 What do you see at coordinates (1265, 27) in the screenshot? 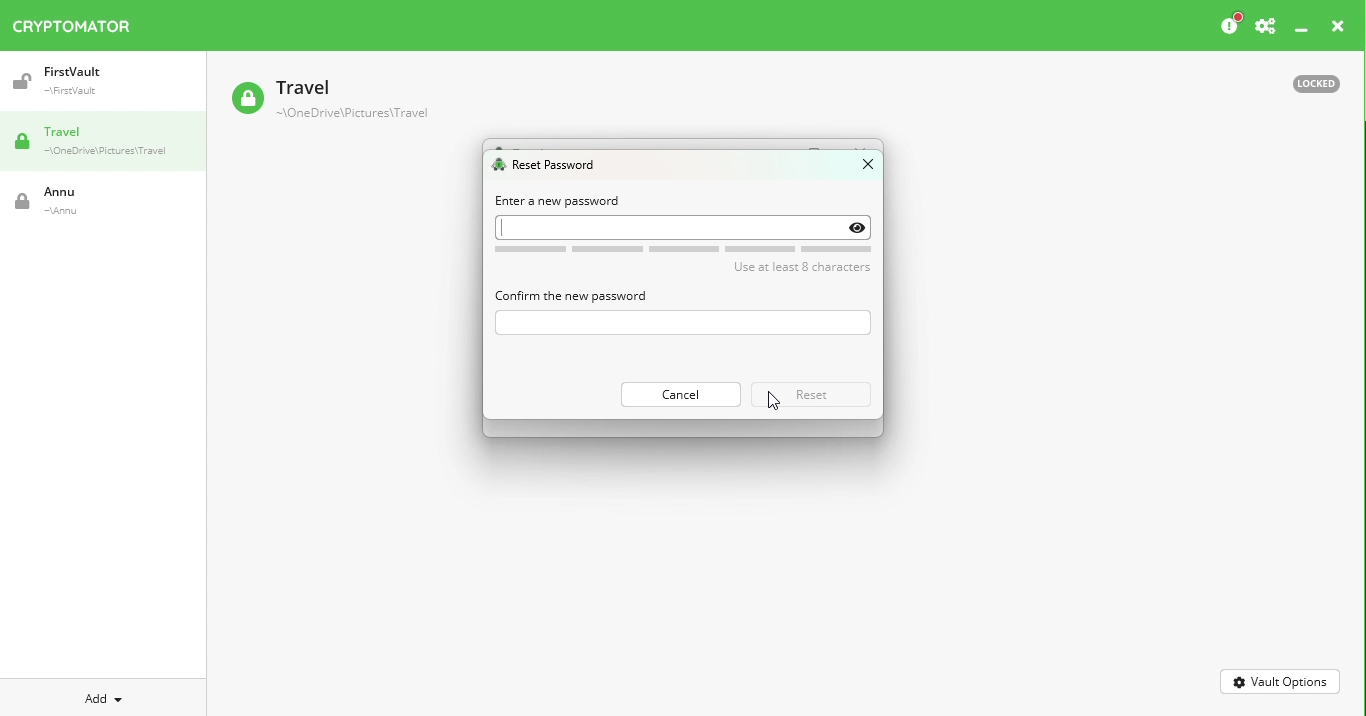
I see `Preferences` at bounding box center [1265, 27].